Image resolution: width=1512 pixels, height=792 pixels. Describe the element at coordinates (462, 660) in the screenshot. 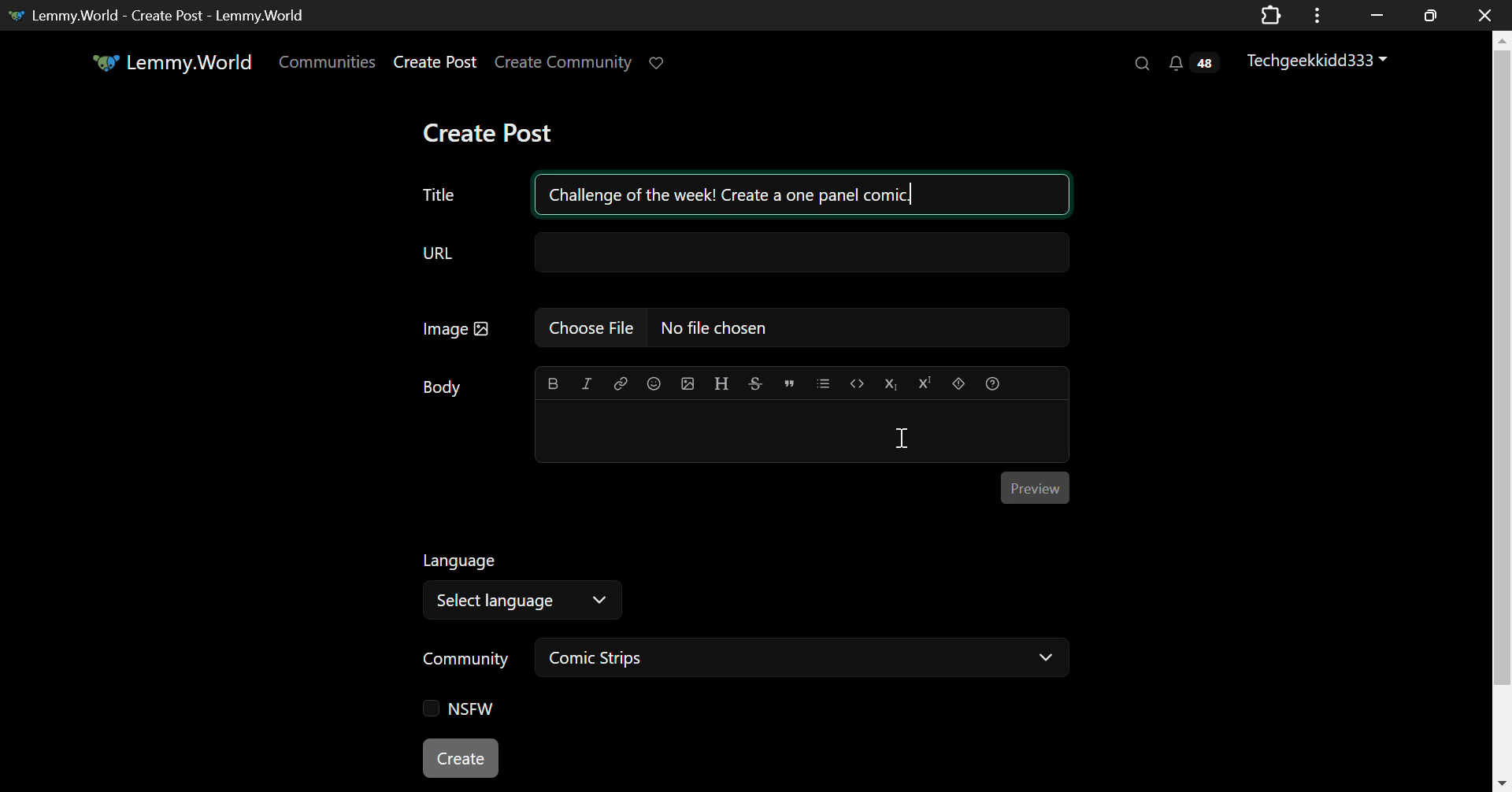

I see `Community` at that location.